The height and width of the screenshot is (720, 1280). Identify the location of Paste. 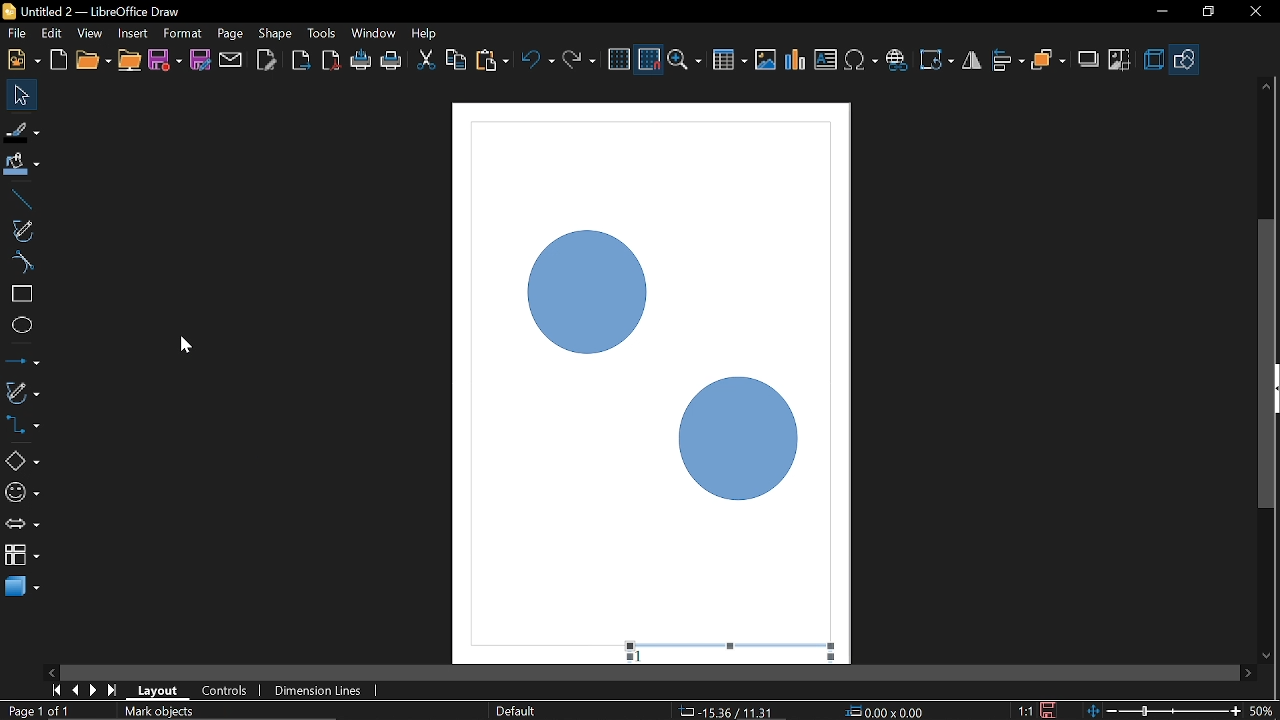
(491, 61).